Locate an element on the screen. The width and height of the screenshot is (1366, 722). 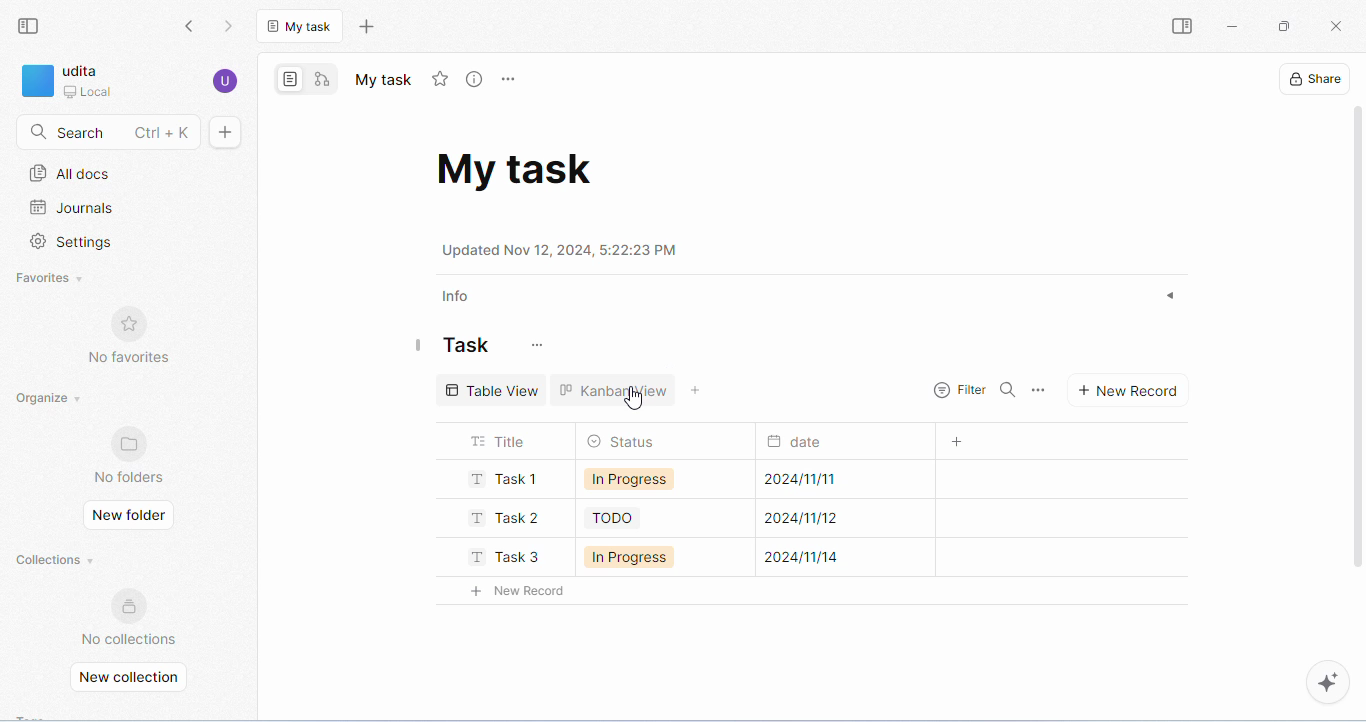
status is located at coordinates (625, 441).